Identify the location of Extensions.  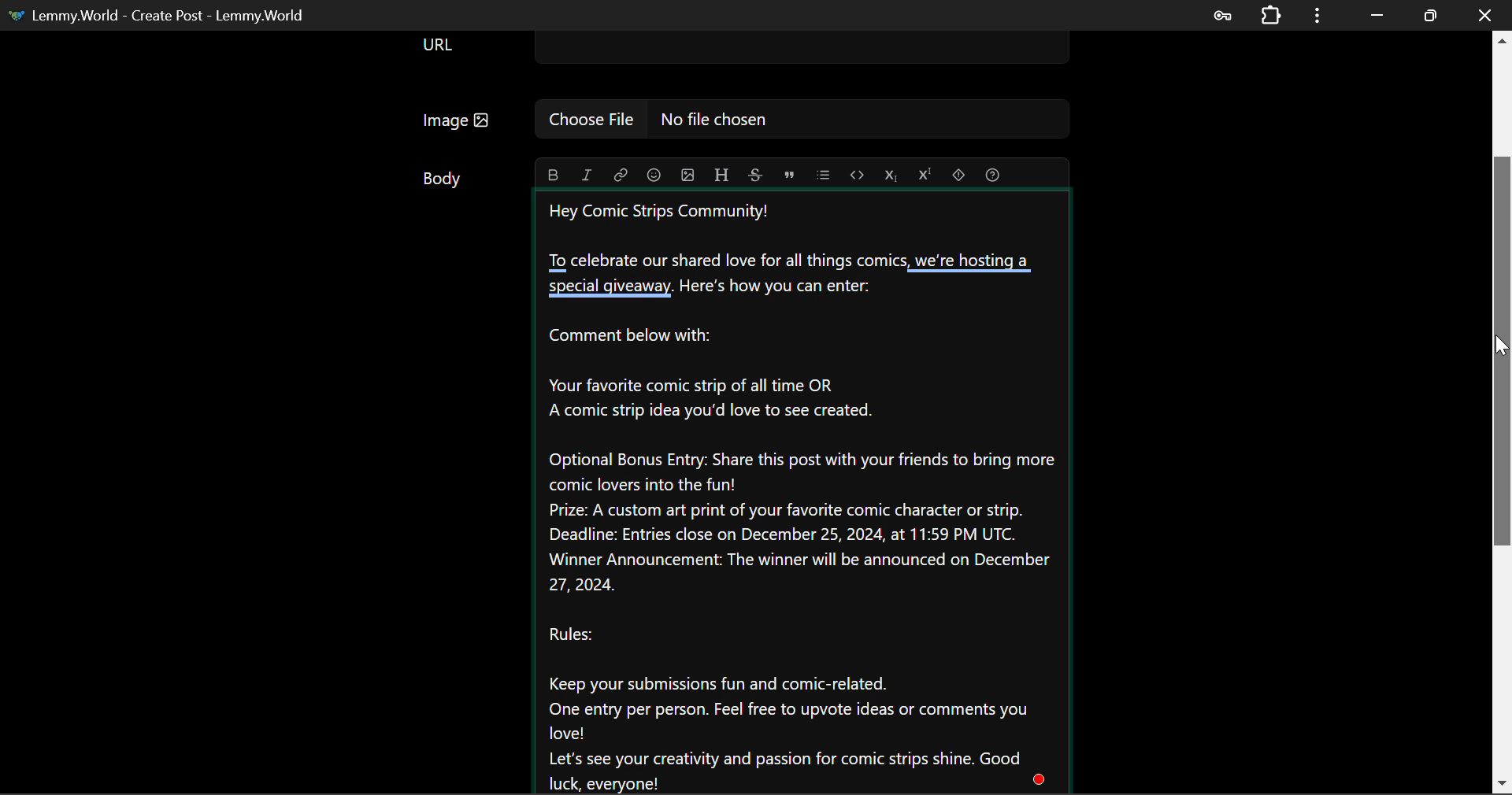
(1270, 15).